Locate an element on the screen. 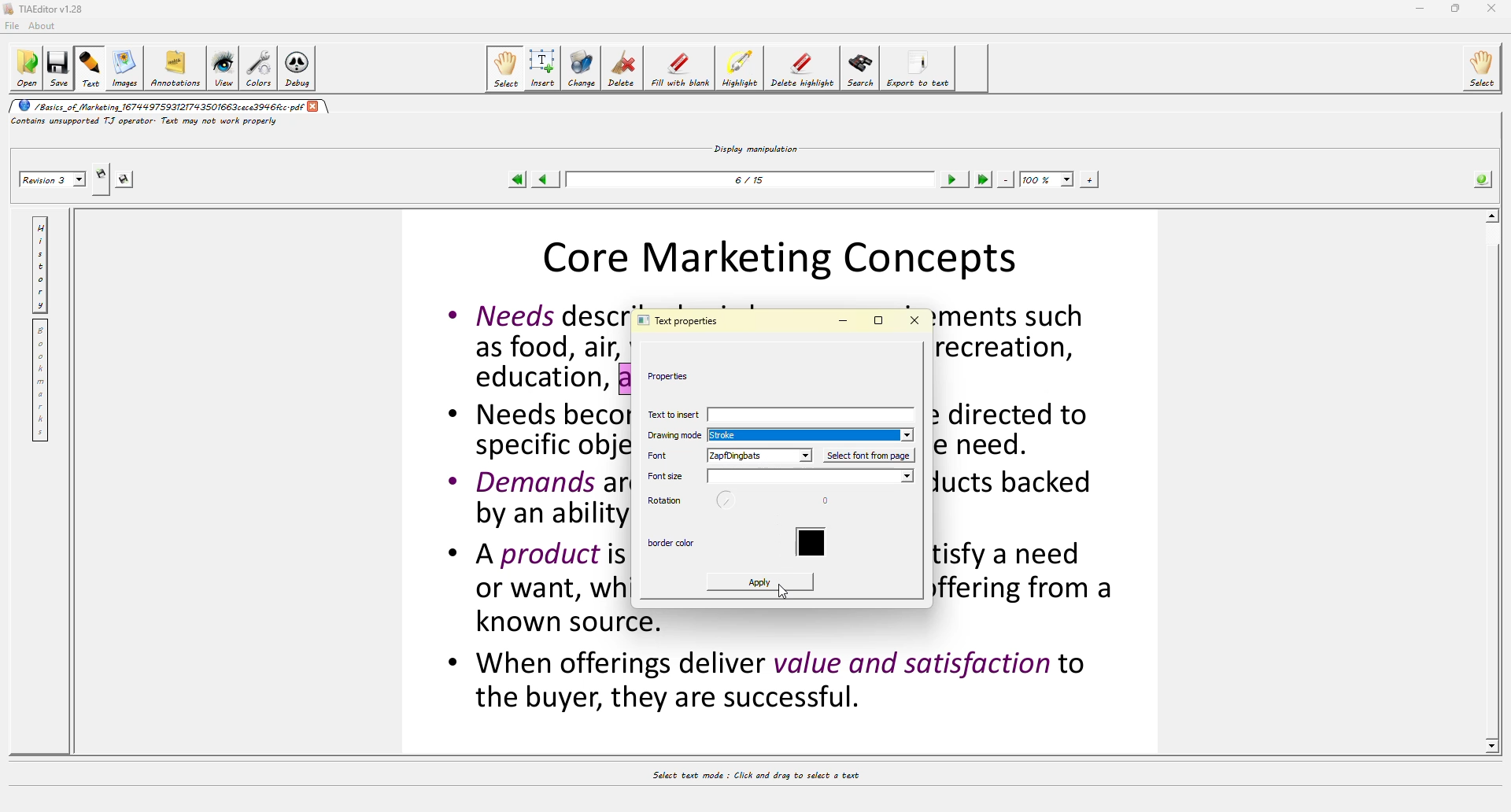 This screenshot has width=1511, height=812. font is located at coordinates (663, 456).